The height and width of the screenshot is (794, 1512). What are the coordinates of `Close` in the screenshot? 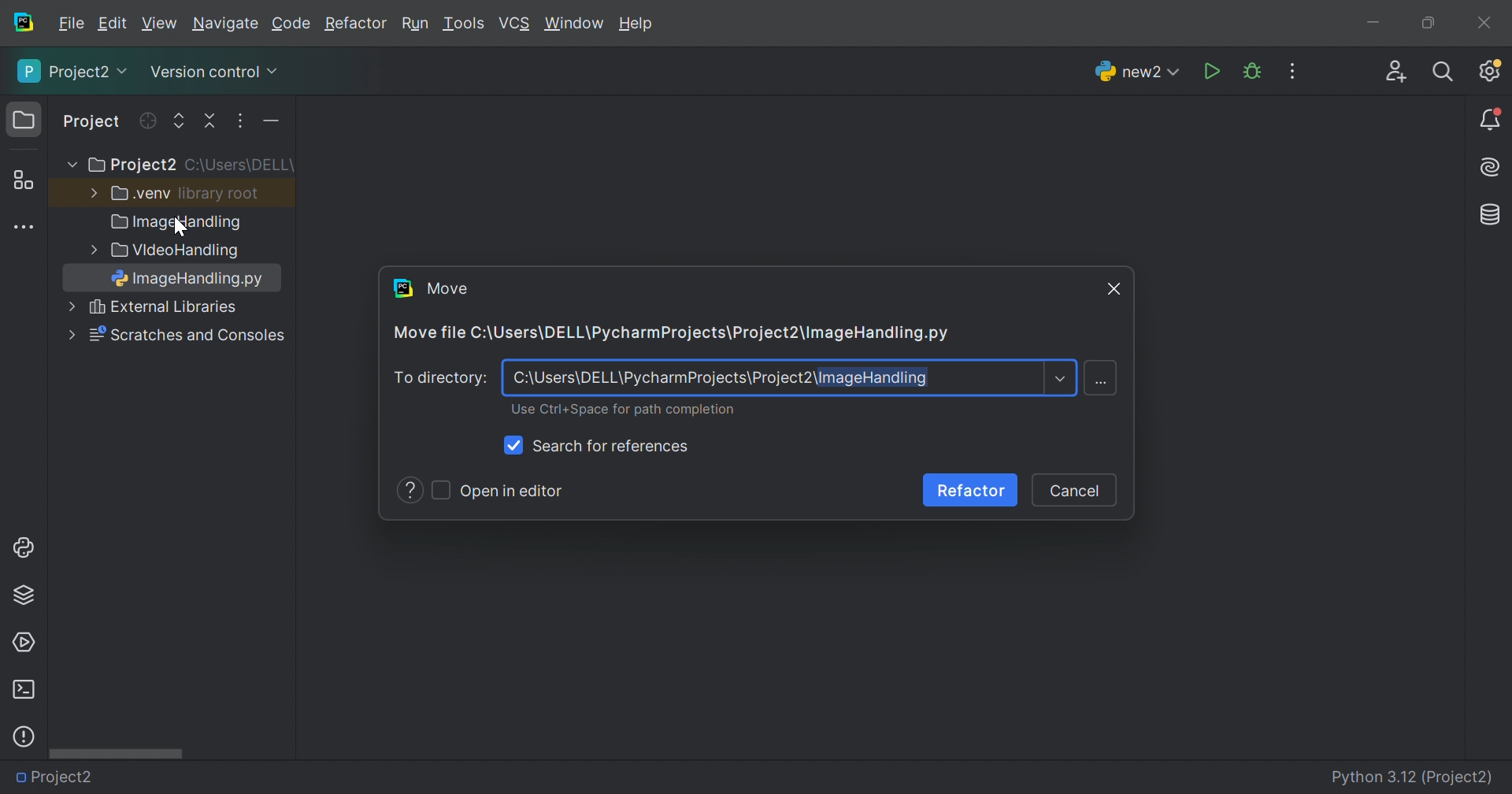 It's located at (1484, 23).